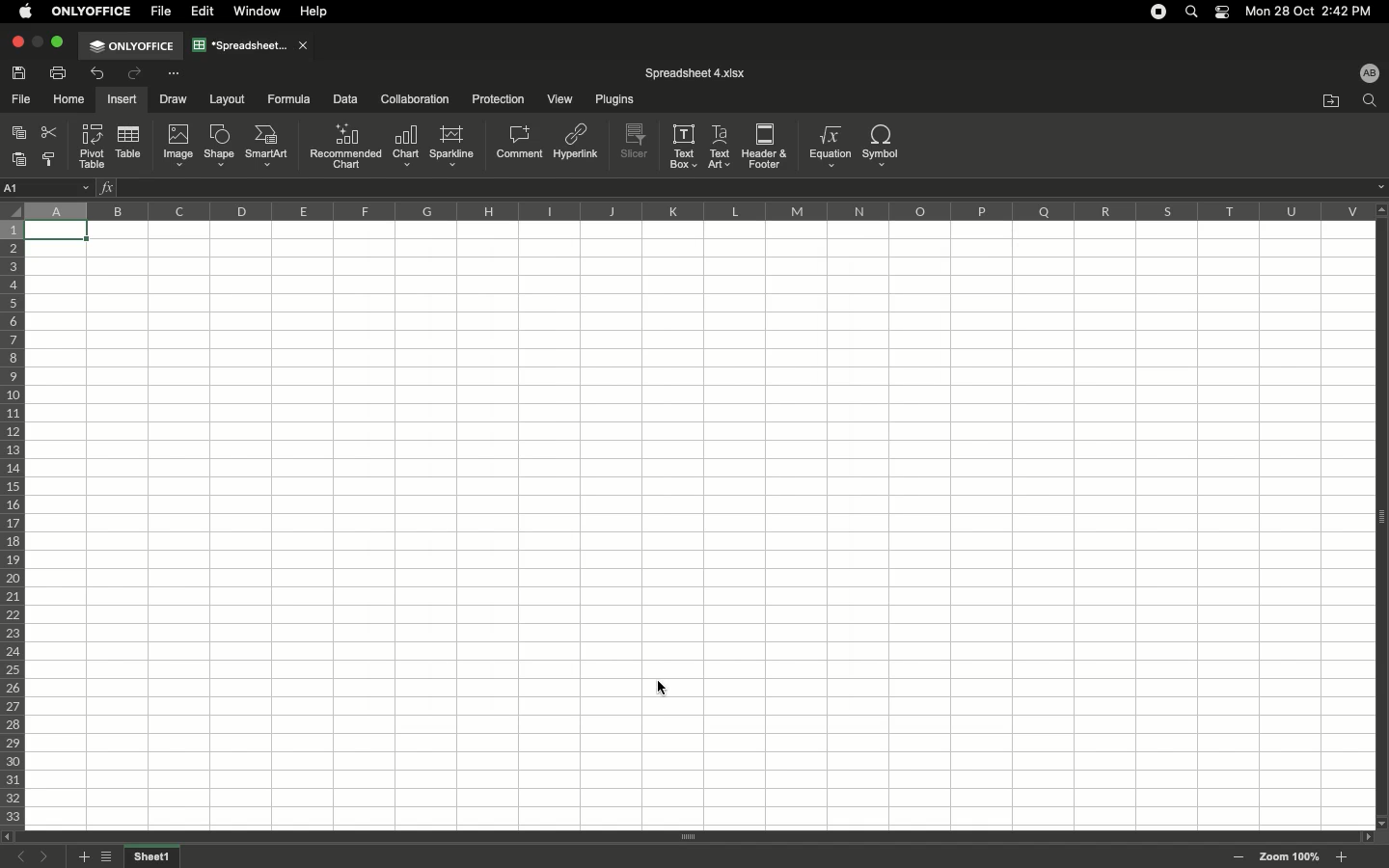 This screenshot has width=1389, height=868. What do you see at coordinates (1380, 209) in the screenshot?
I see `scroll up` at bounding box center [1380, 209].